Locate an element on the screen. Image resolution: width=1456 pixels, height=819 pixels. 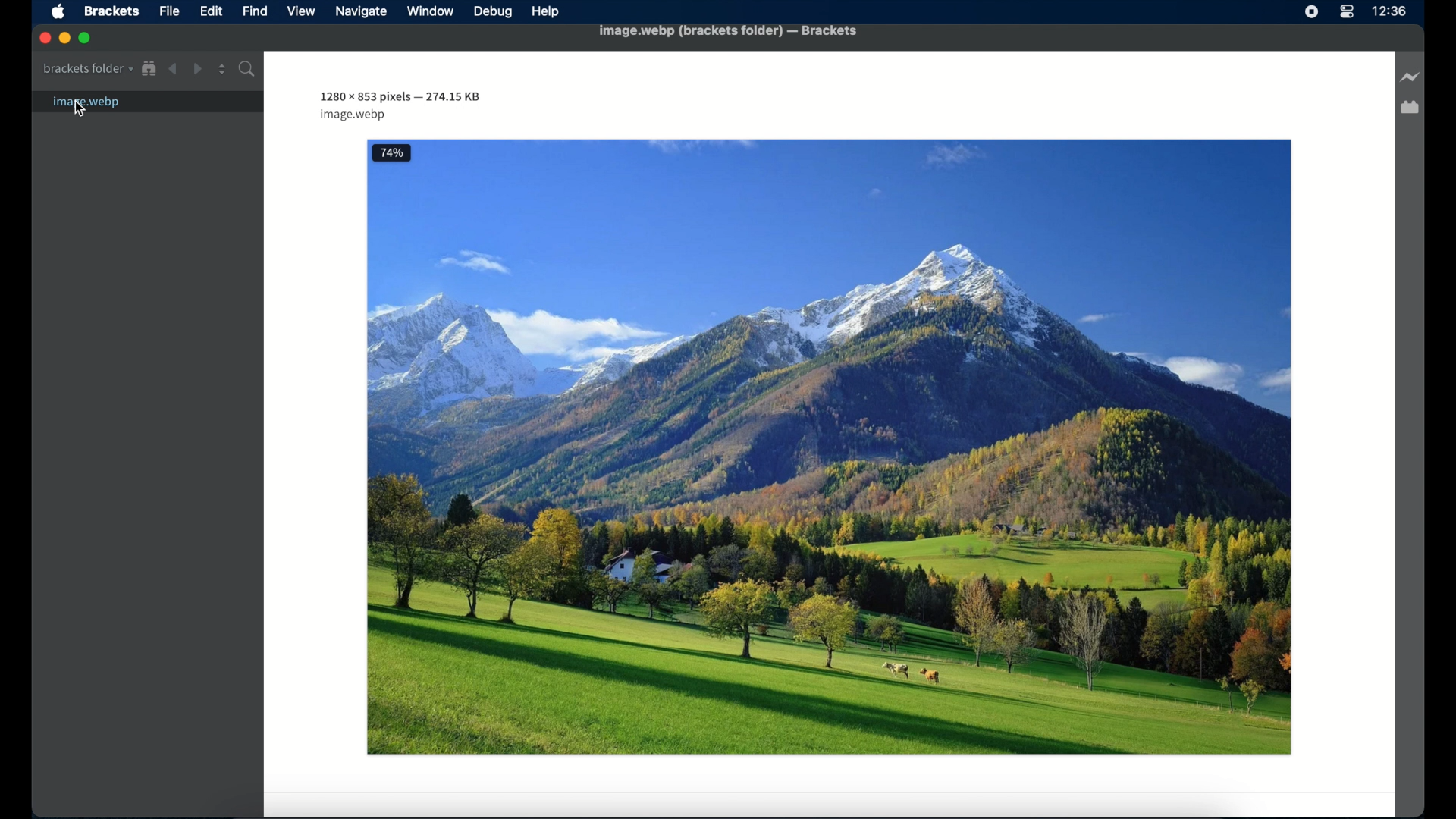
Debug is located at coordinates (493, 13).